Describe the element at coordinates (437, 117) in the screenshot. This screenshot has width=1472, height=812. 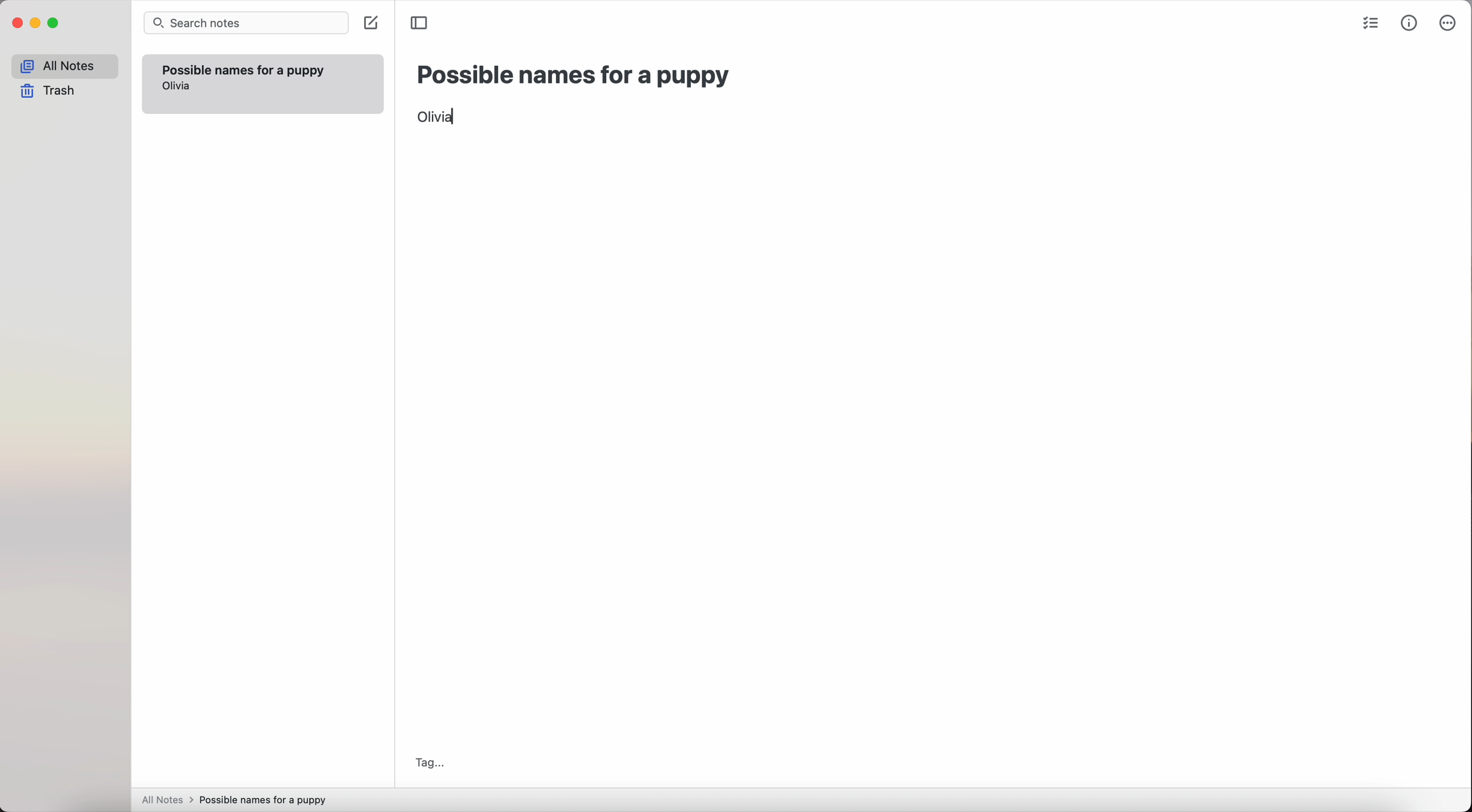
I see `Olivia` at that location.